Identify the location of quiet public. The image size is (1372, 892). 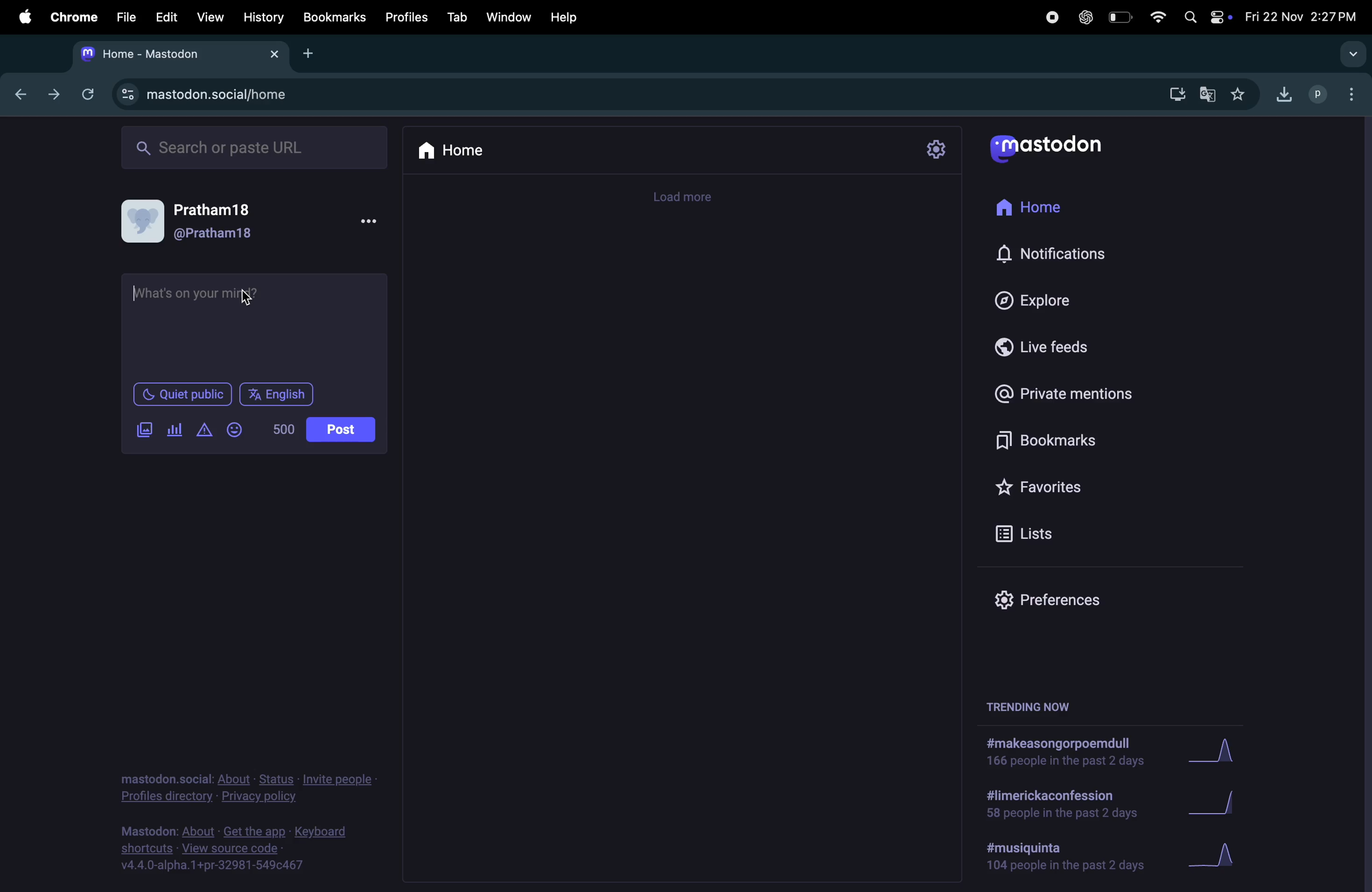
(183, 395).